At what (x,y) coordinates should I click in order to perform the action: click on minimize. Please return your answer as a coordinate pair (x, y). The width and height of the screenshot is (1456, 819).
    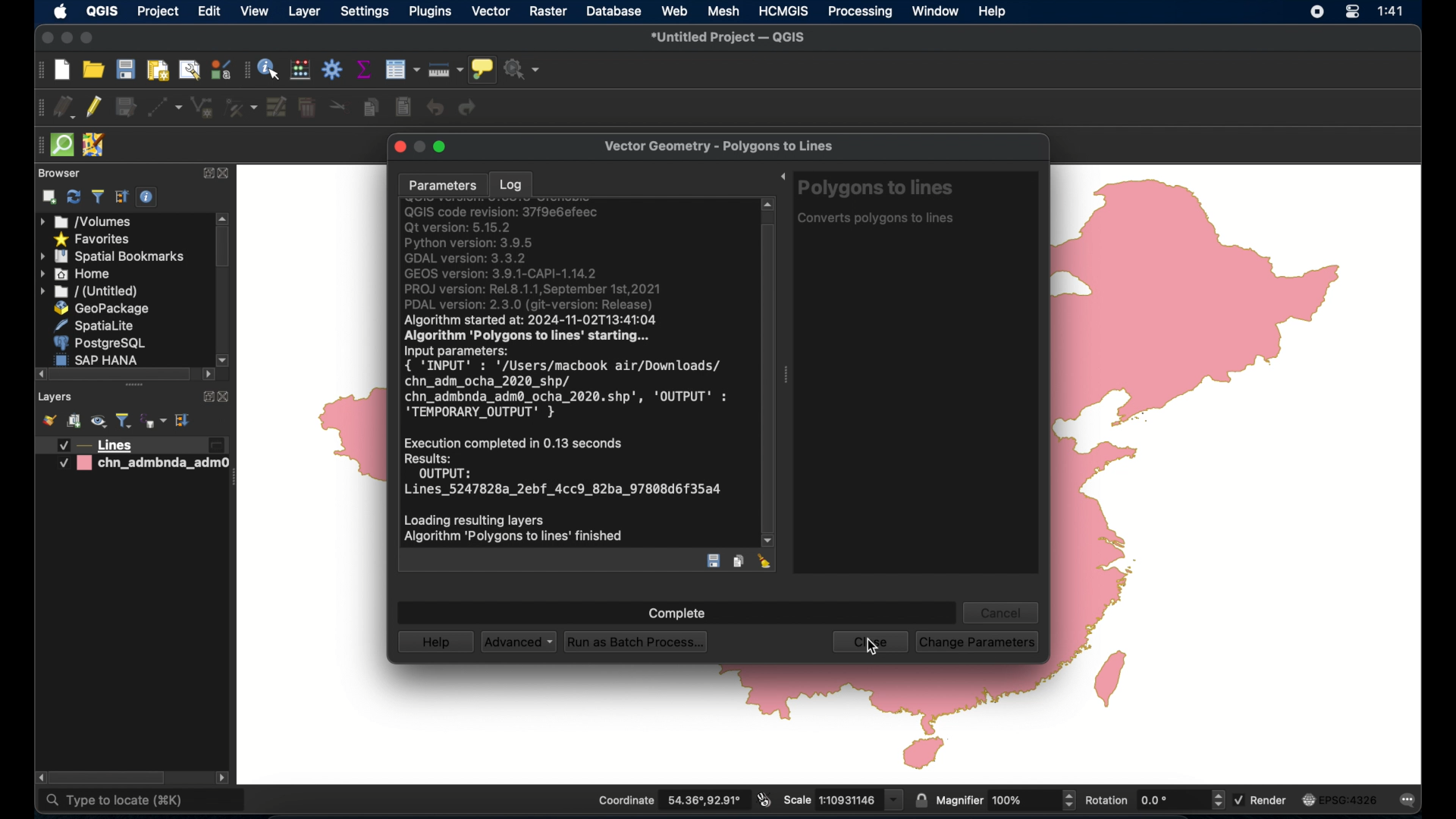
    Looking at the image, I should click on (68, 39).